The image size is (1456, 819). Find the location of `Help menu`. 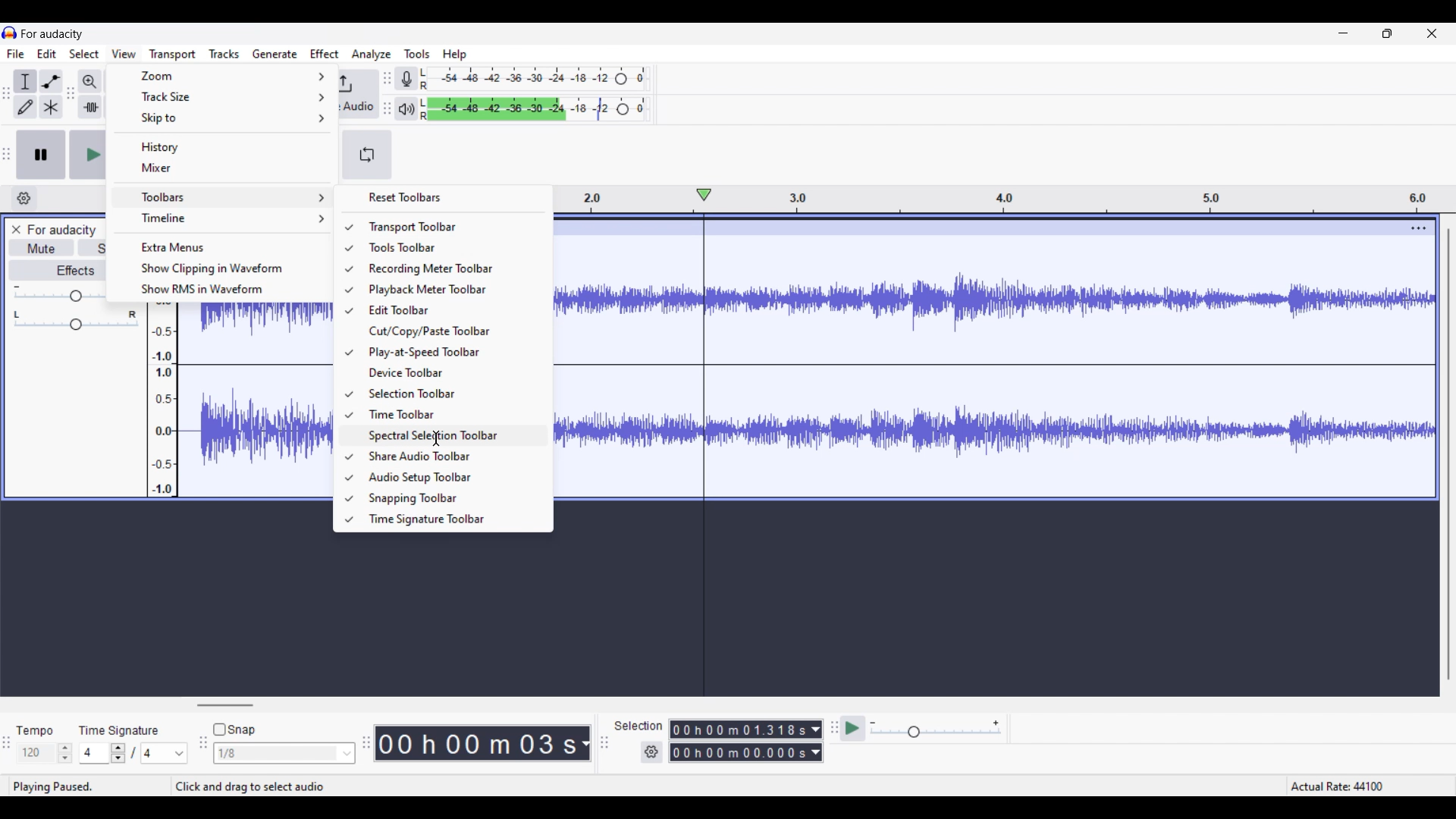

Help menu is located at coordinates (454, 55).